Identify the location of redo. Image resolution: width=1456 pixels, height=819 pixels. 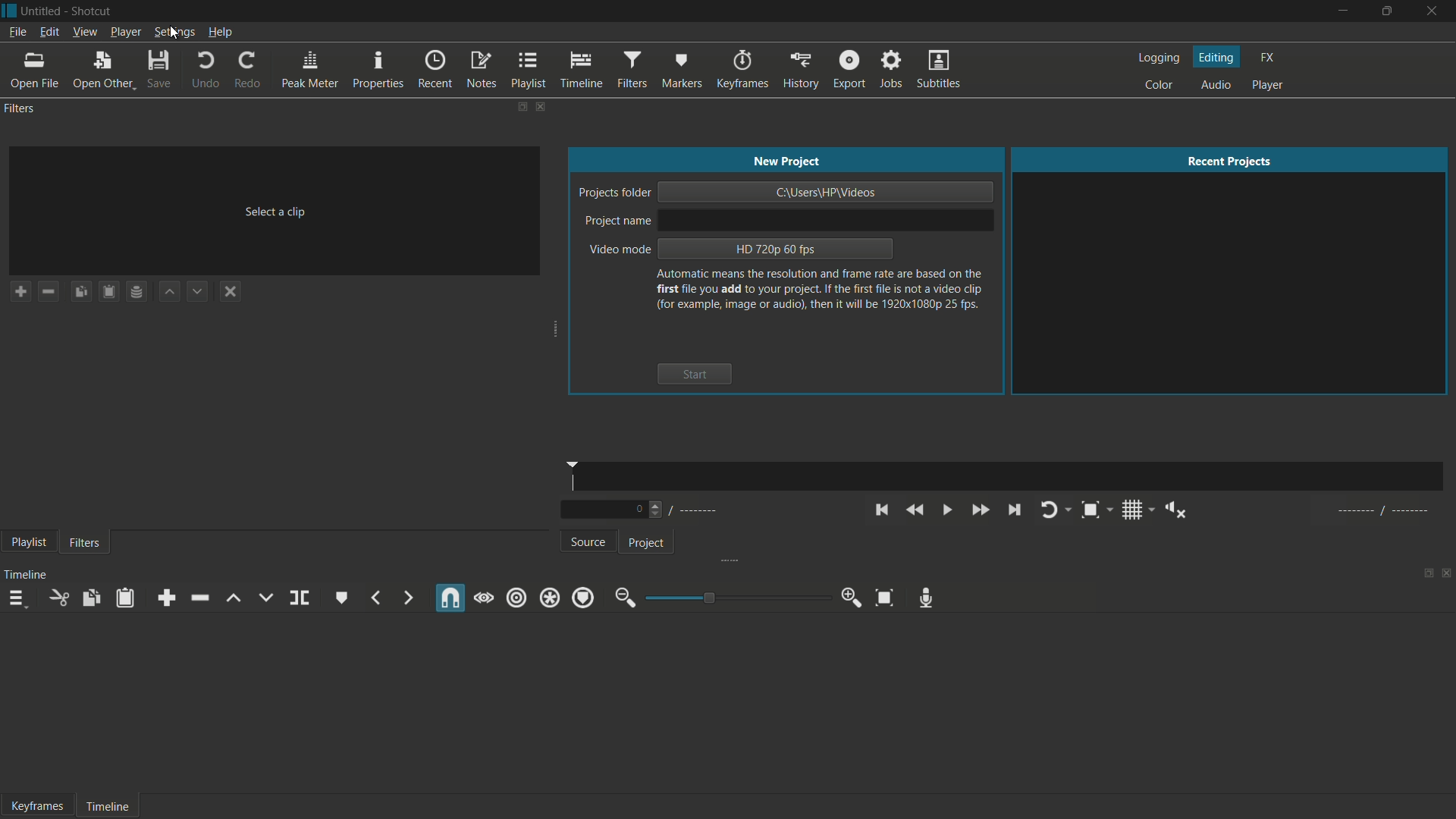
(250, 71).